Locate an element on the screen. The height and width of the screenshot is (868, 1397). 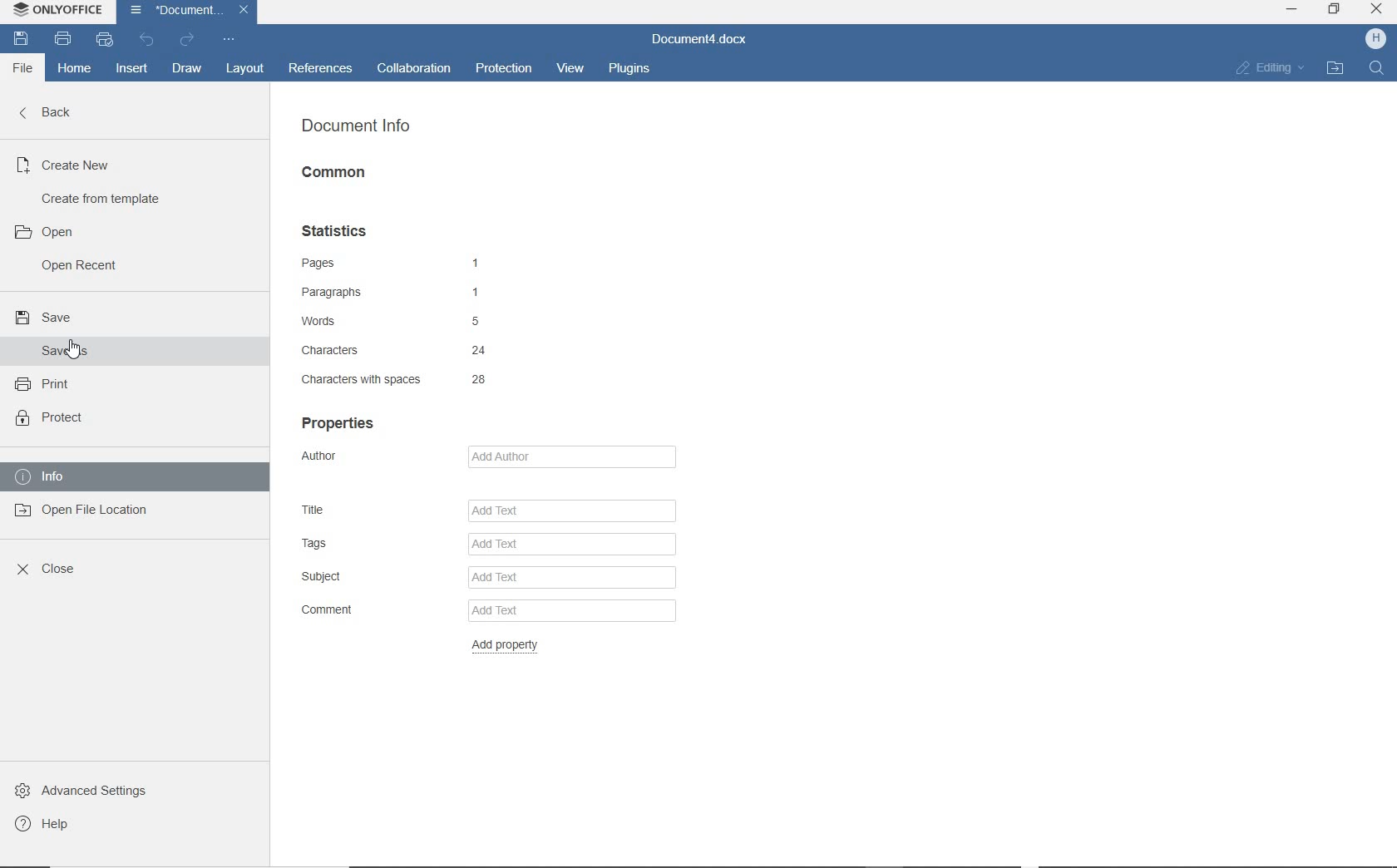
redo is located at coordinates (185, 42).